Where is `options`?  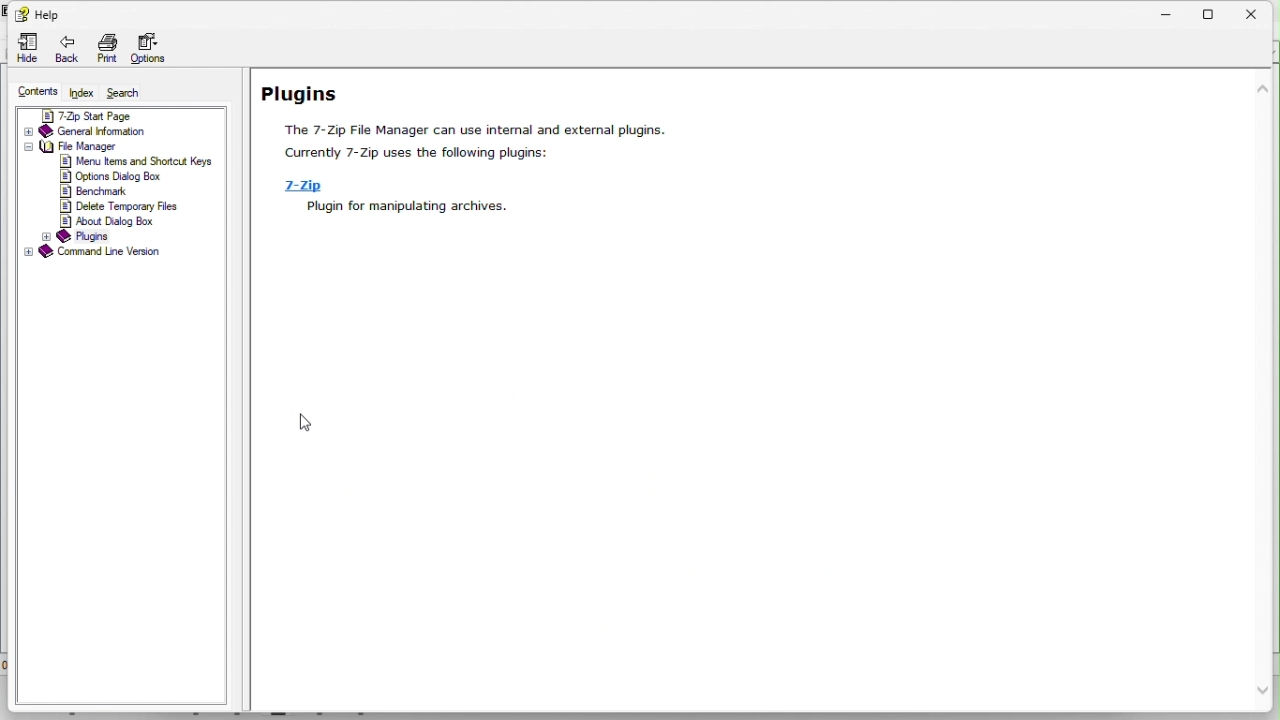 options is located at coordinates (113, 176).